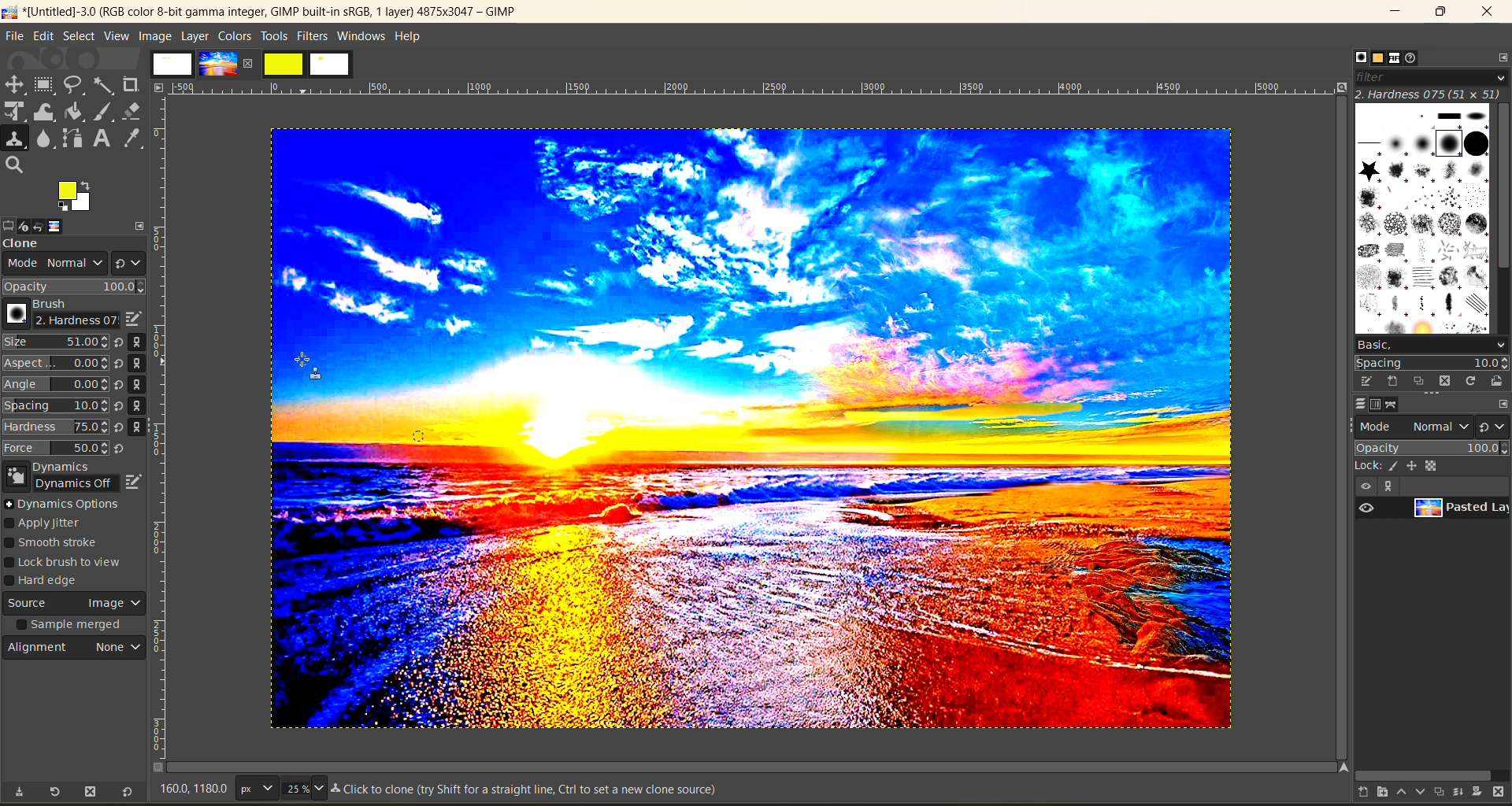  Describe the element at coordinates (1354, 793) in the screenshot. I see `create a new layer` at that location.